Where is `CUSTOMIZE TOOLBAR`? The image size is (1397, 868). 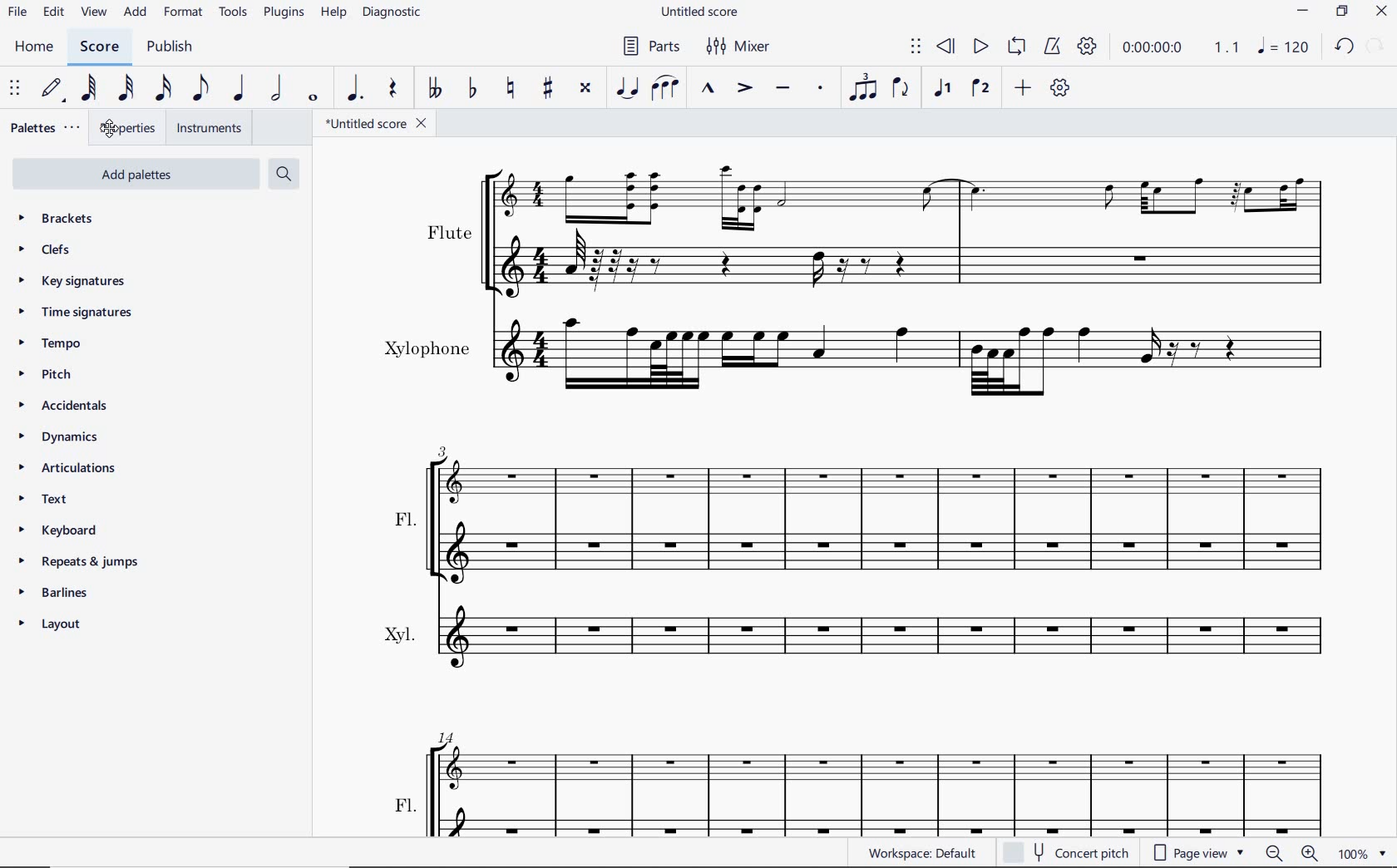 CUSTOMIZE TOOLBAR is located at coordinates (1059, 86).